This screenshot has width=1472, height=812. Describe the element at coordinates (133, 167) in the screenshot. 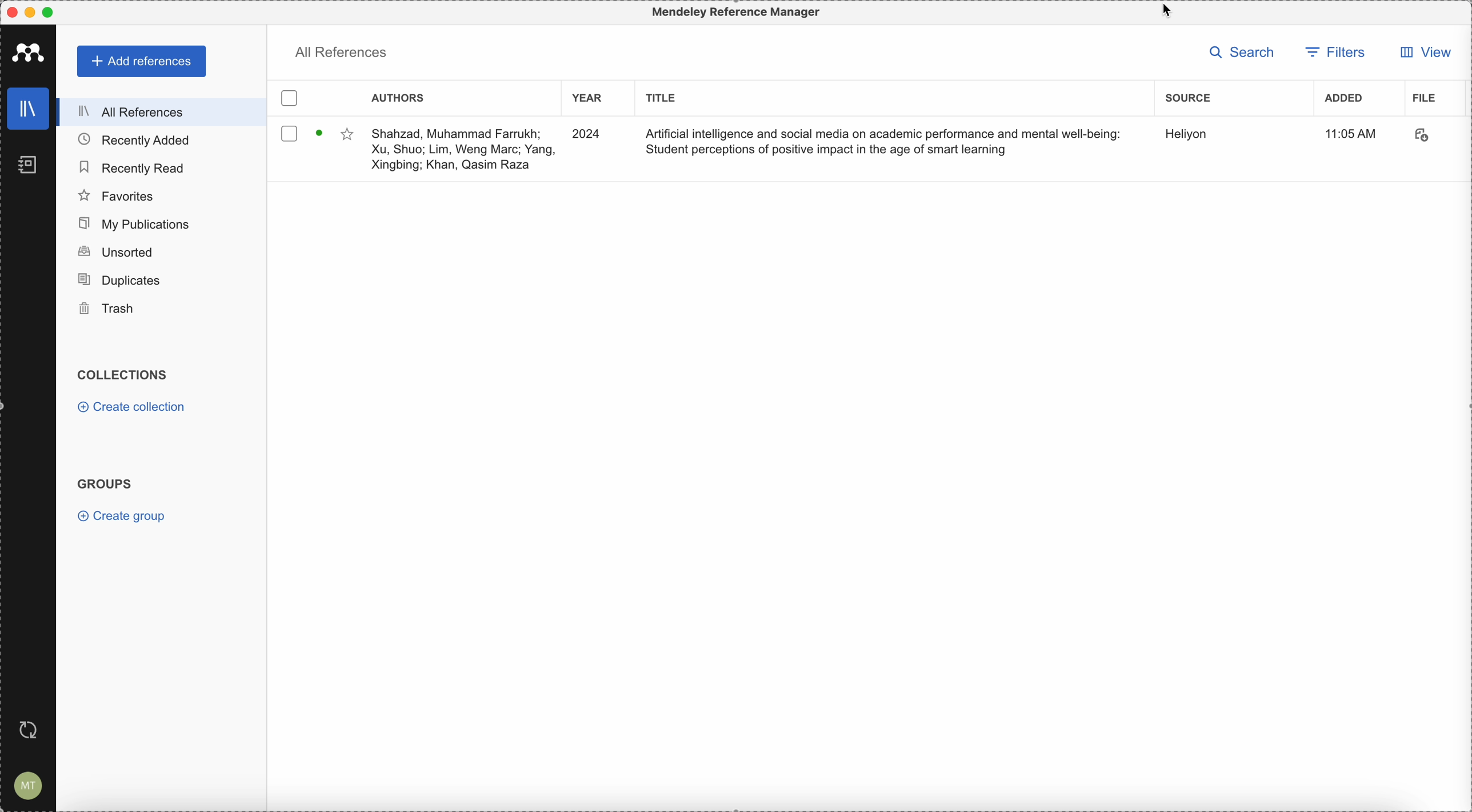

I see `recently read` at that location.